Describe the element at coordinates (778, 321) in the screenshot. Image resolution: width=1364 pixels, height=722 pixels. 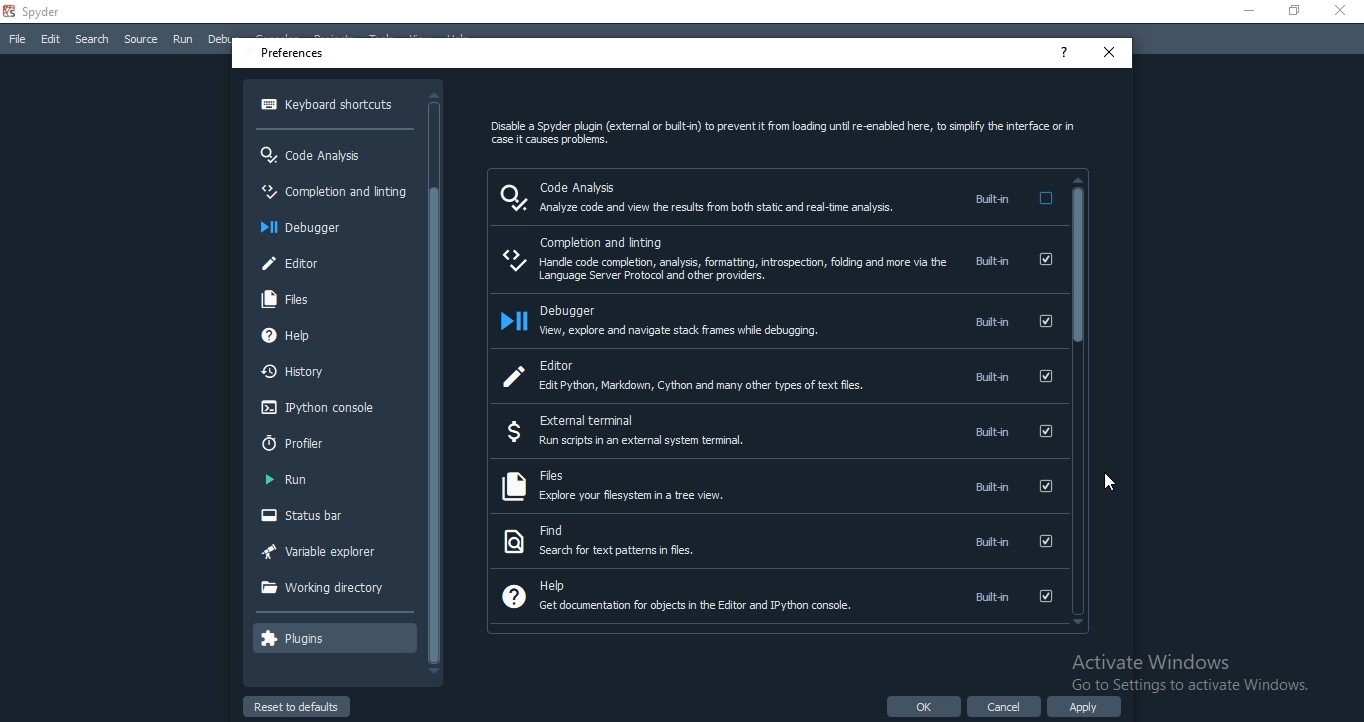
I see `debugger` at that location.